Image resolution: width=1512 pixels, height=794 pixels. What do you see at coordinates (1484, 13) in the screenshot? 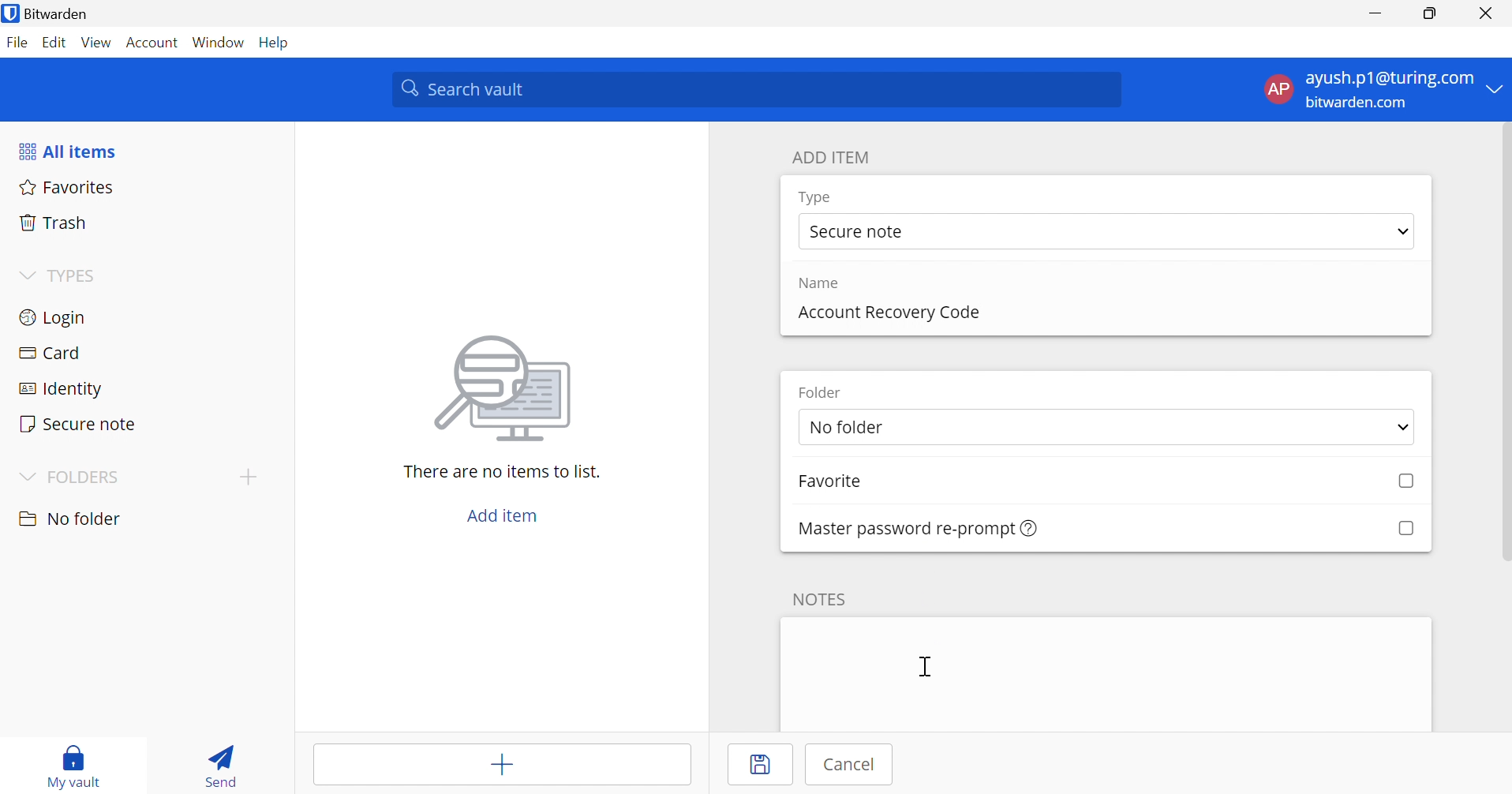
I see `Close` at bounding box center [1484, 13].